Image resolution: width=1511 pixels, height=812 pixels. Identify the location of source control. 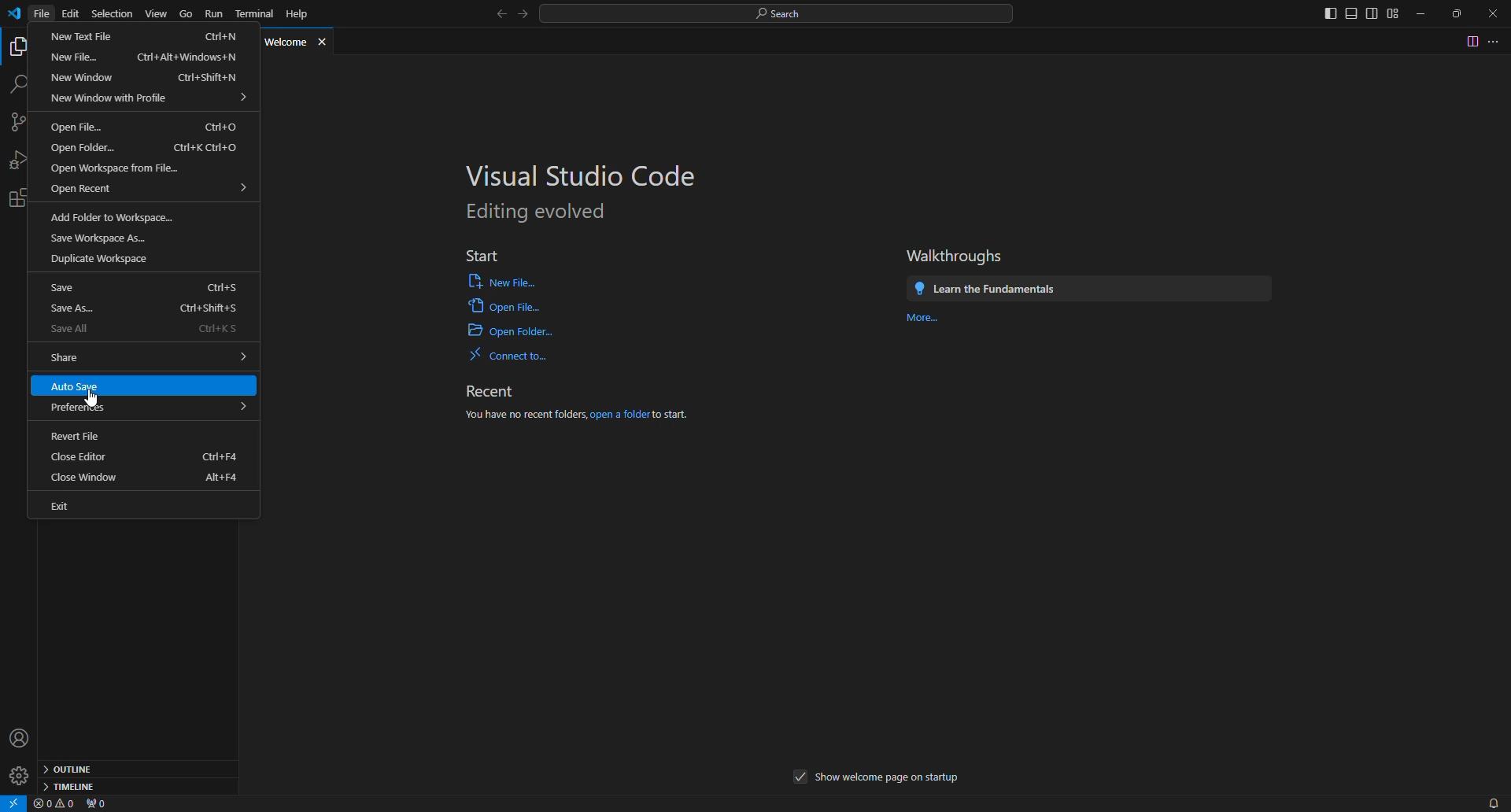
(24, 123).